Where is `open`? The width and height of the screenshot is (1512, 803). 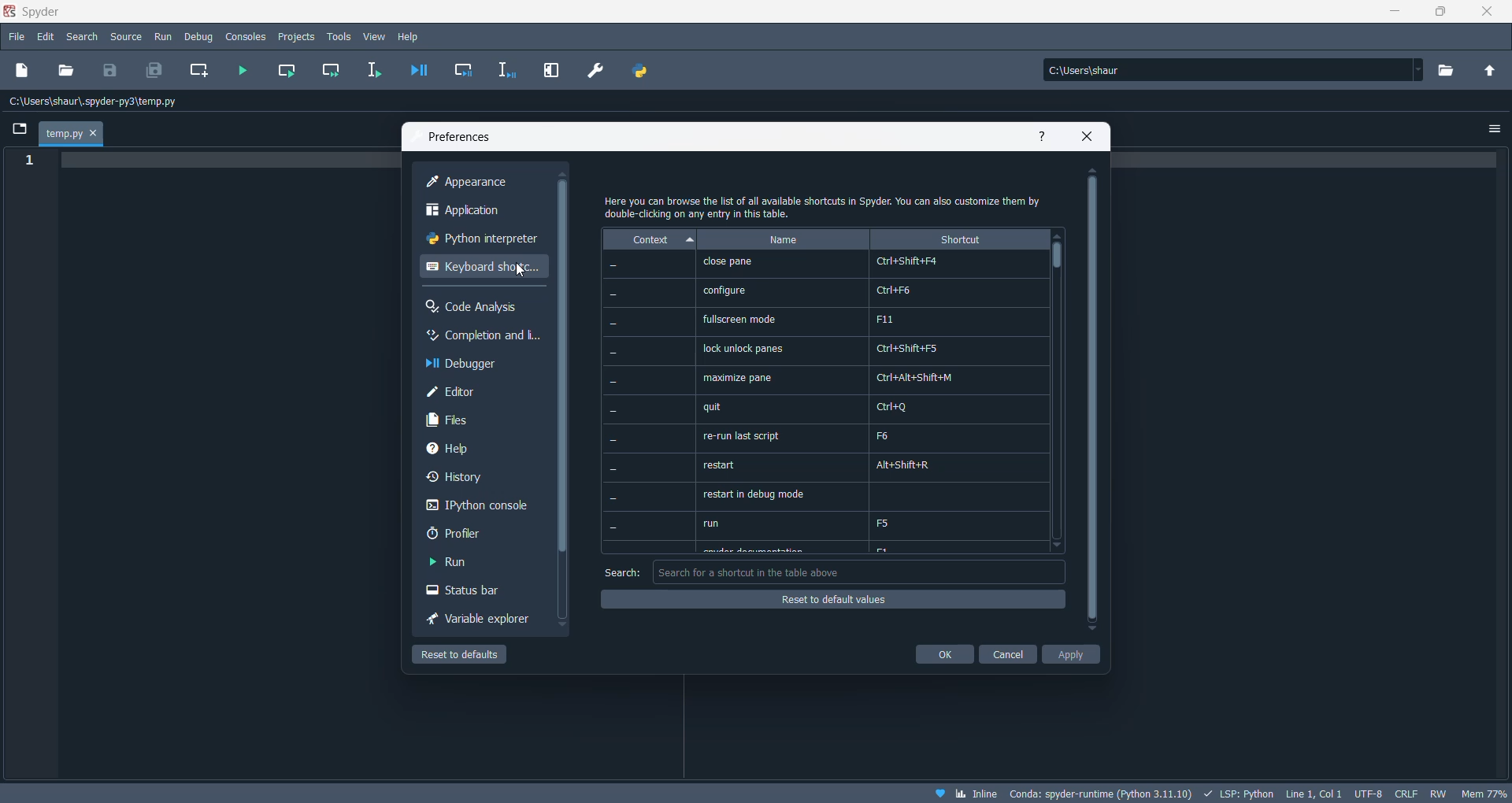
open is located at coordinates (67, 70).